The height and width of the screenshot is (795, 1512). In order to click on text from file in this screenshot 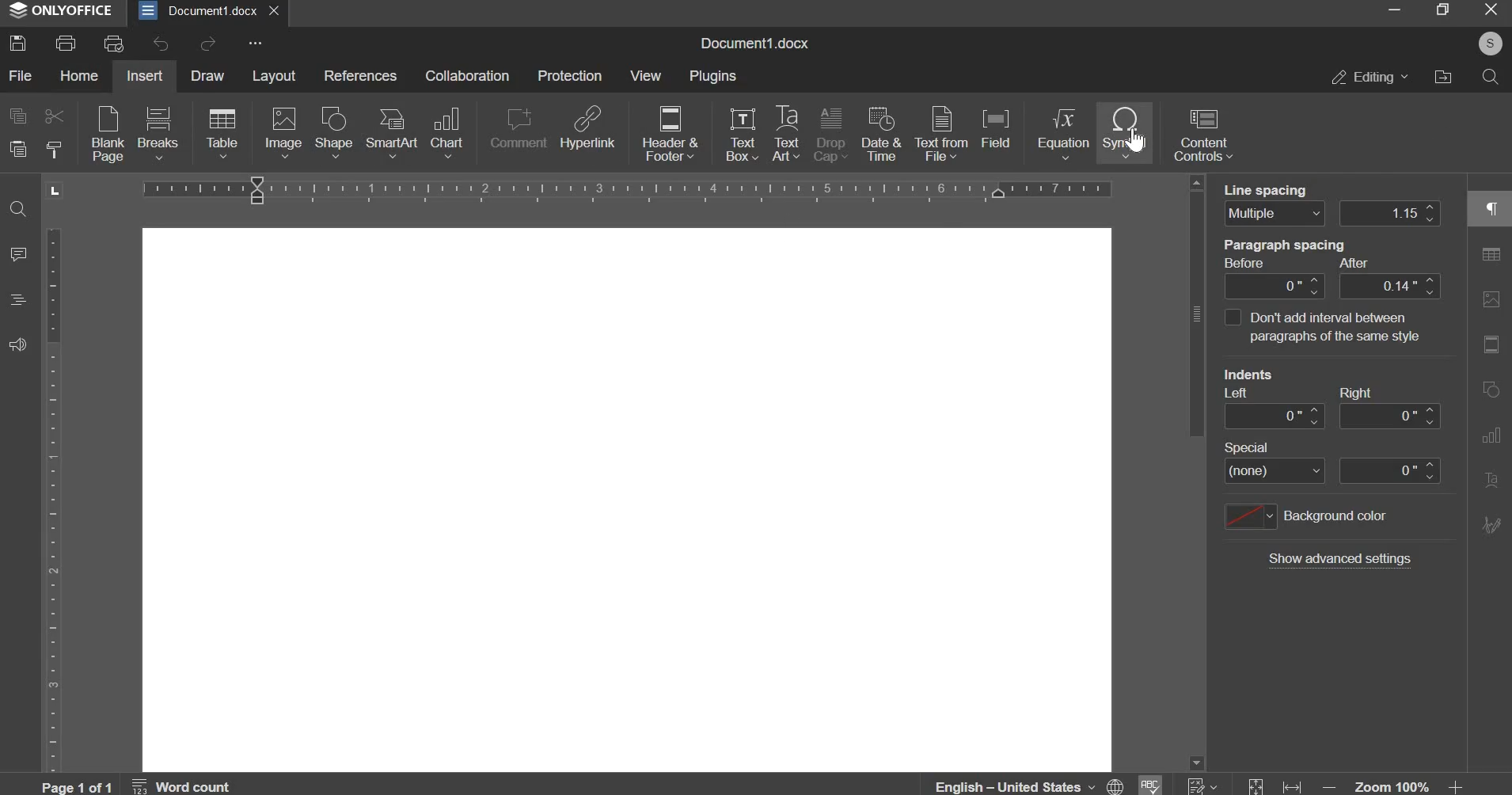, I will do `click(944, 132)`.